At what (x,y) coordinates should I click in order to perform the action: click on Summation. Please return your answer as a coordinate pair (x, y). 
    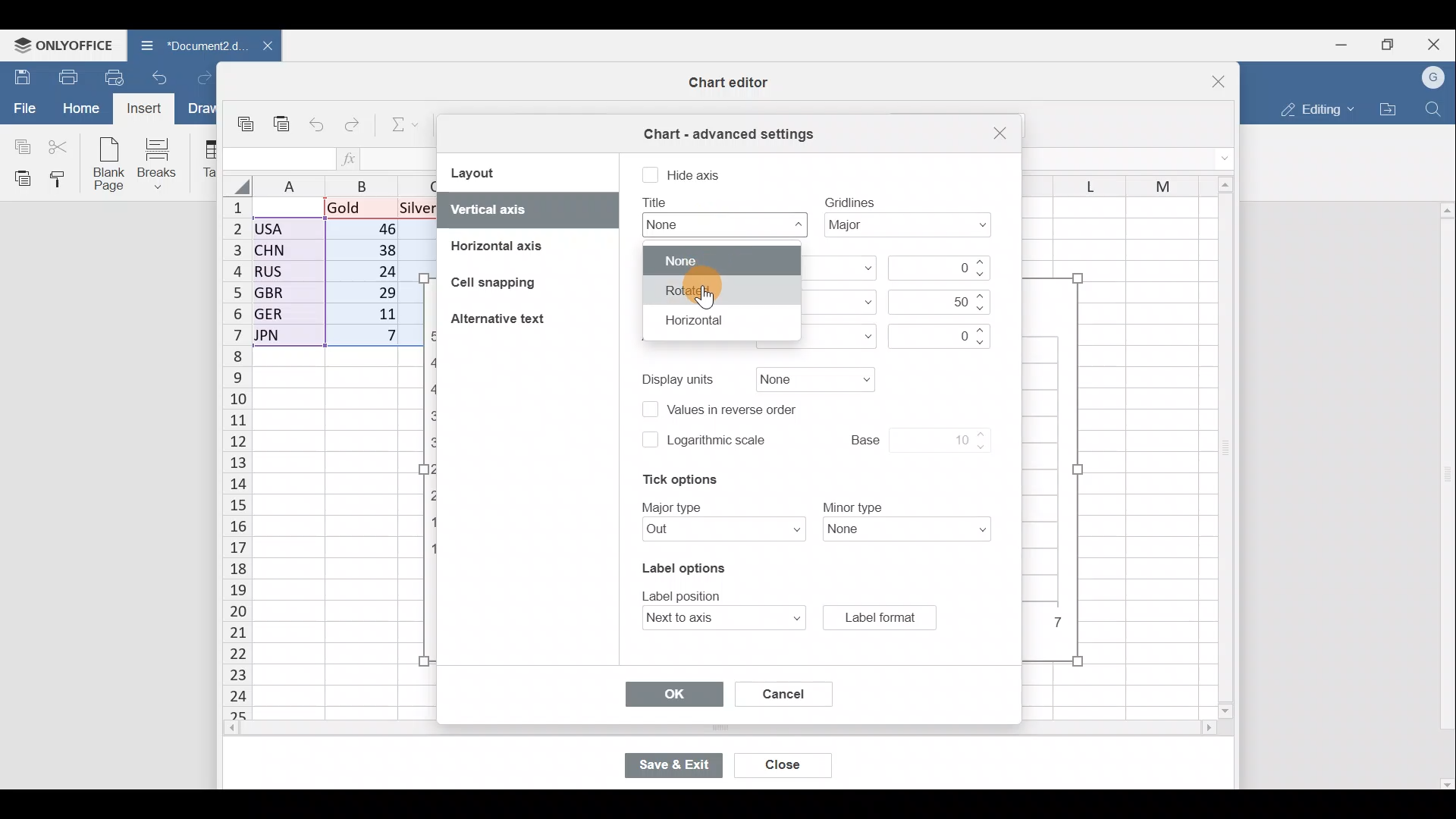
    Looking at the image, I should click on (397, 127).